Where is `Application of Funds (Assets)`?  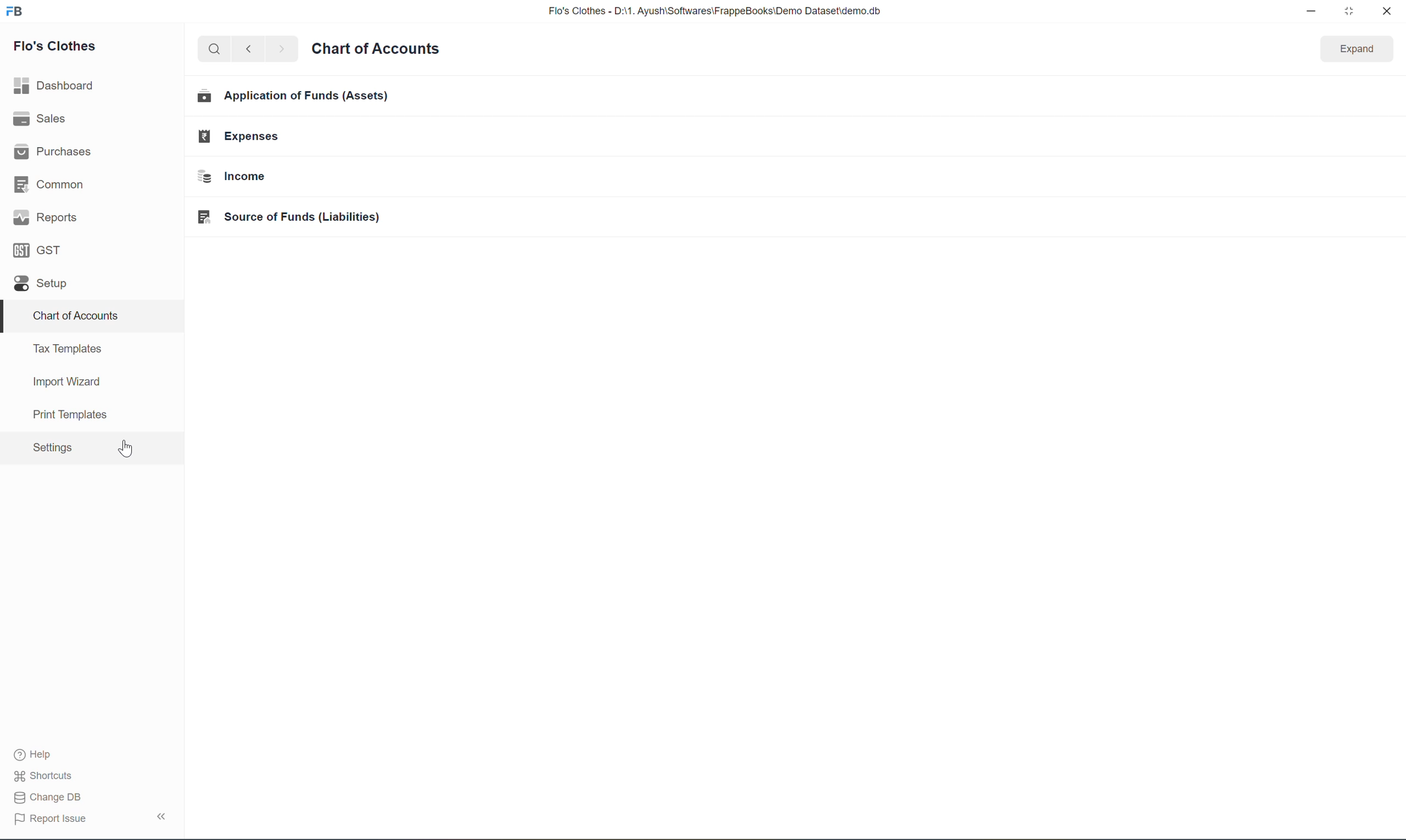
Application of Funds (Assets) is located at coordinates (300, 97).